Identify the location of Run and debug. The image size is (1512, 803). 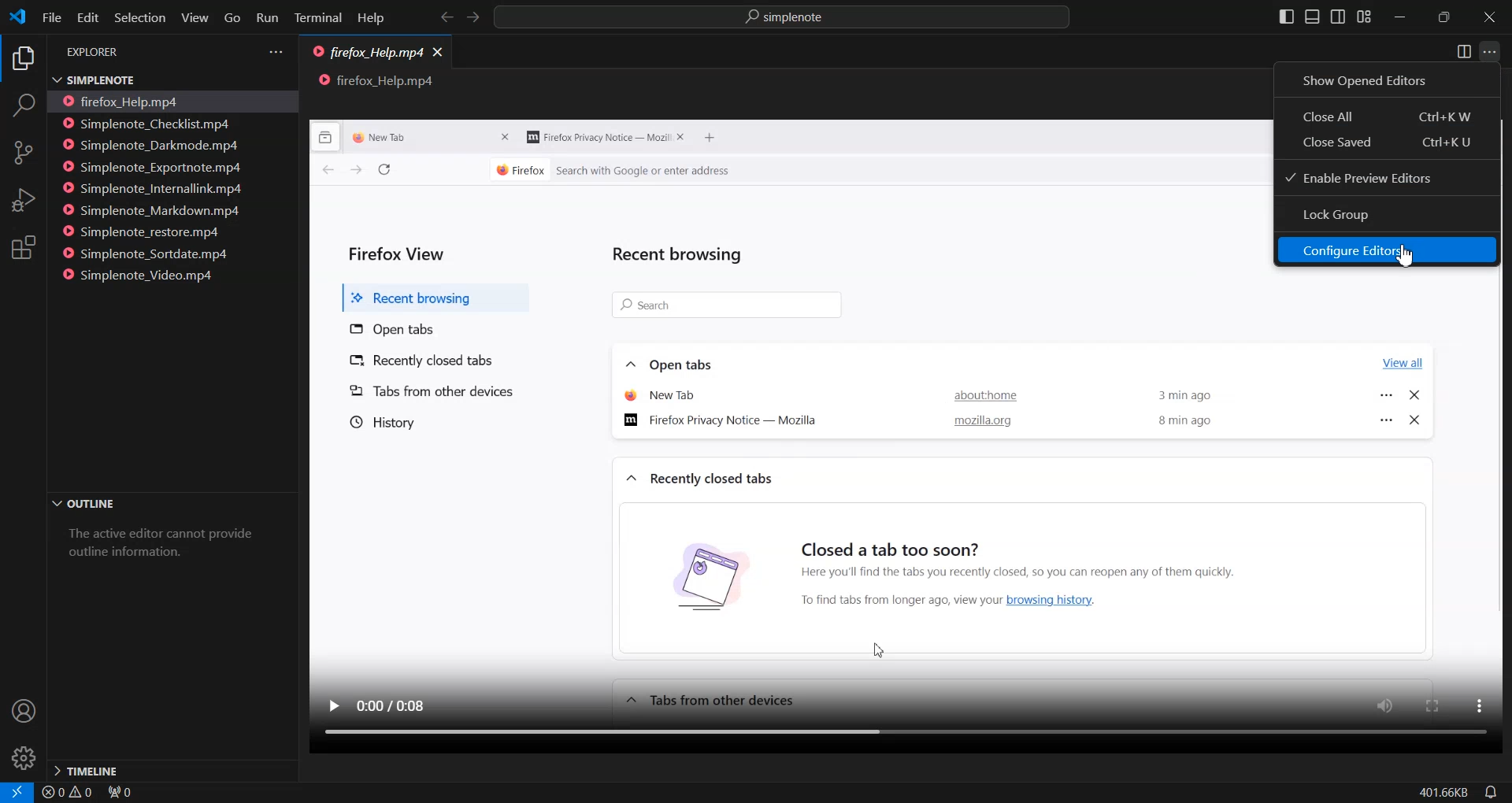
(22, 200).